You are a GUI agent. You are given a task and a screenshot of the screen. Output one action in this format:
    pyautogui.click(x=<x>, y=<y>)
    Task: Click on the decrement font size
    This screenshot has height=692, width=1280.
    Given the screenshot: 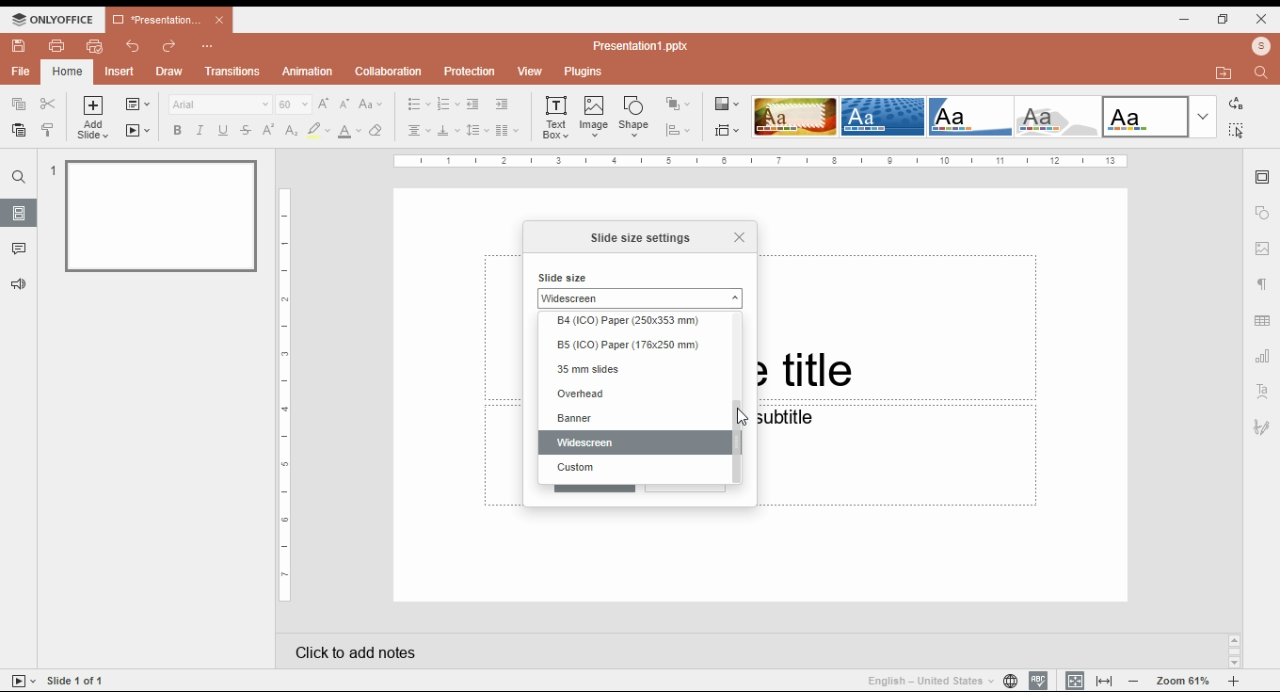 What is the action you would take?
    pyautogui.click(x=345, y=103)
    